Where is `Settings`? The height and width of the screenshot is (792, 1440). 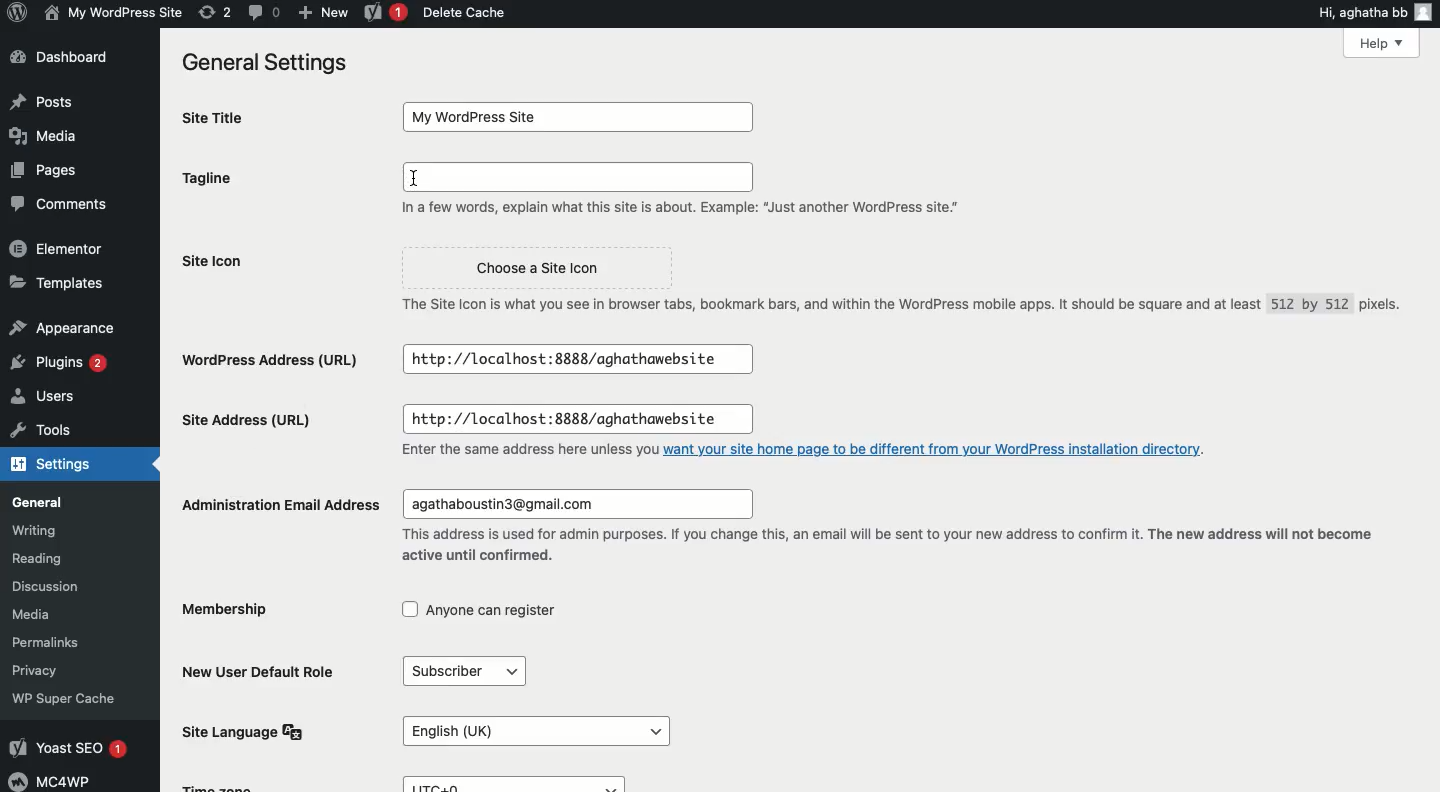
Settings is located at coordinates (69, 467).